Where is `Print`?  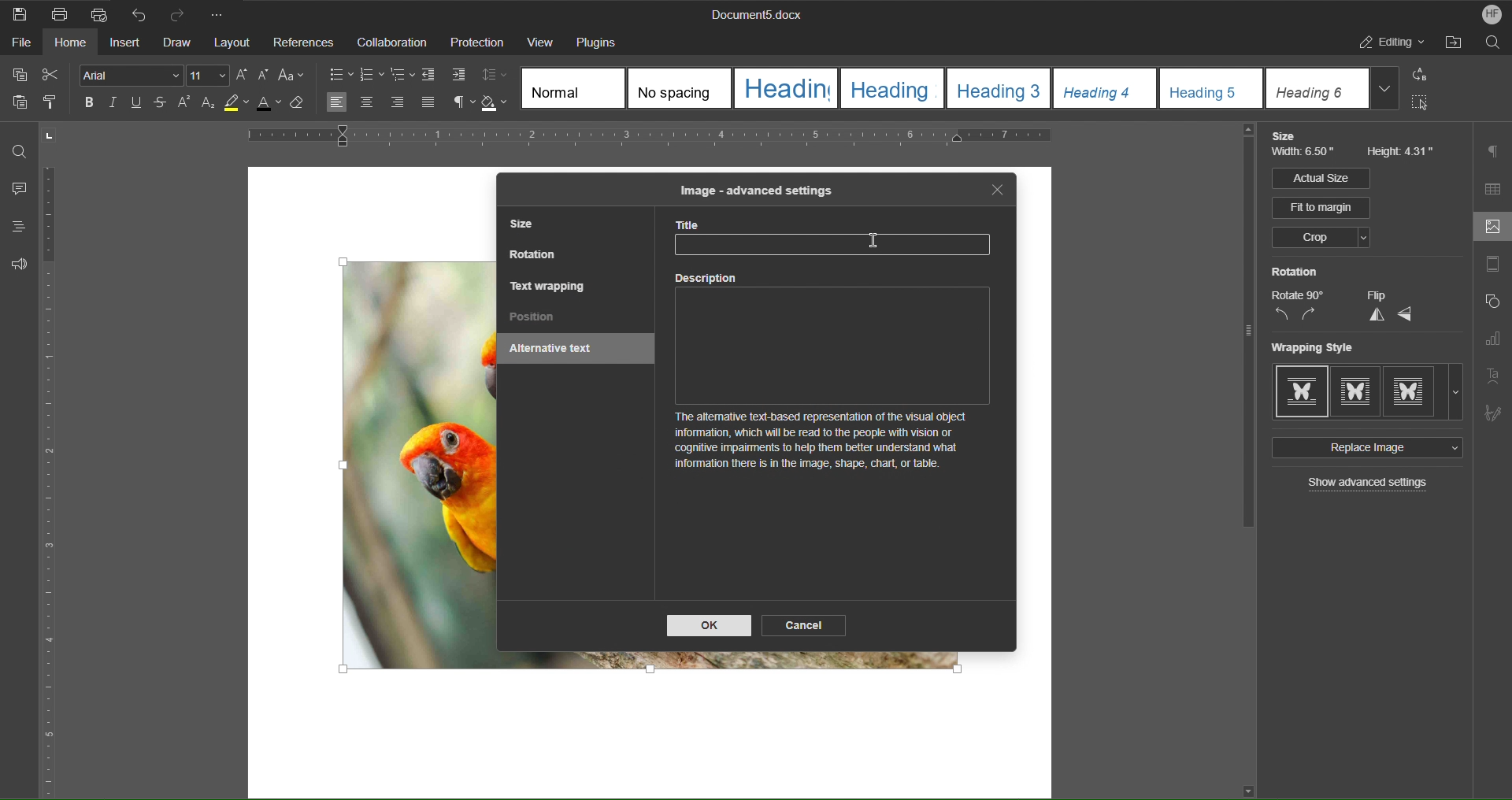 Print is located at coordinates (61, 14).